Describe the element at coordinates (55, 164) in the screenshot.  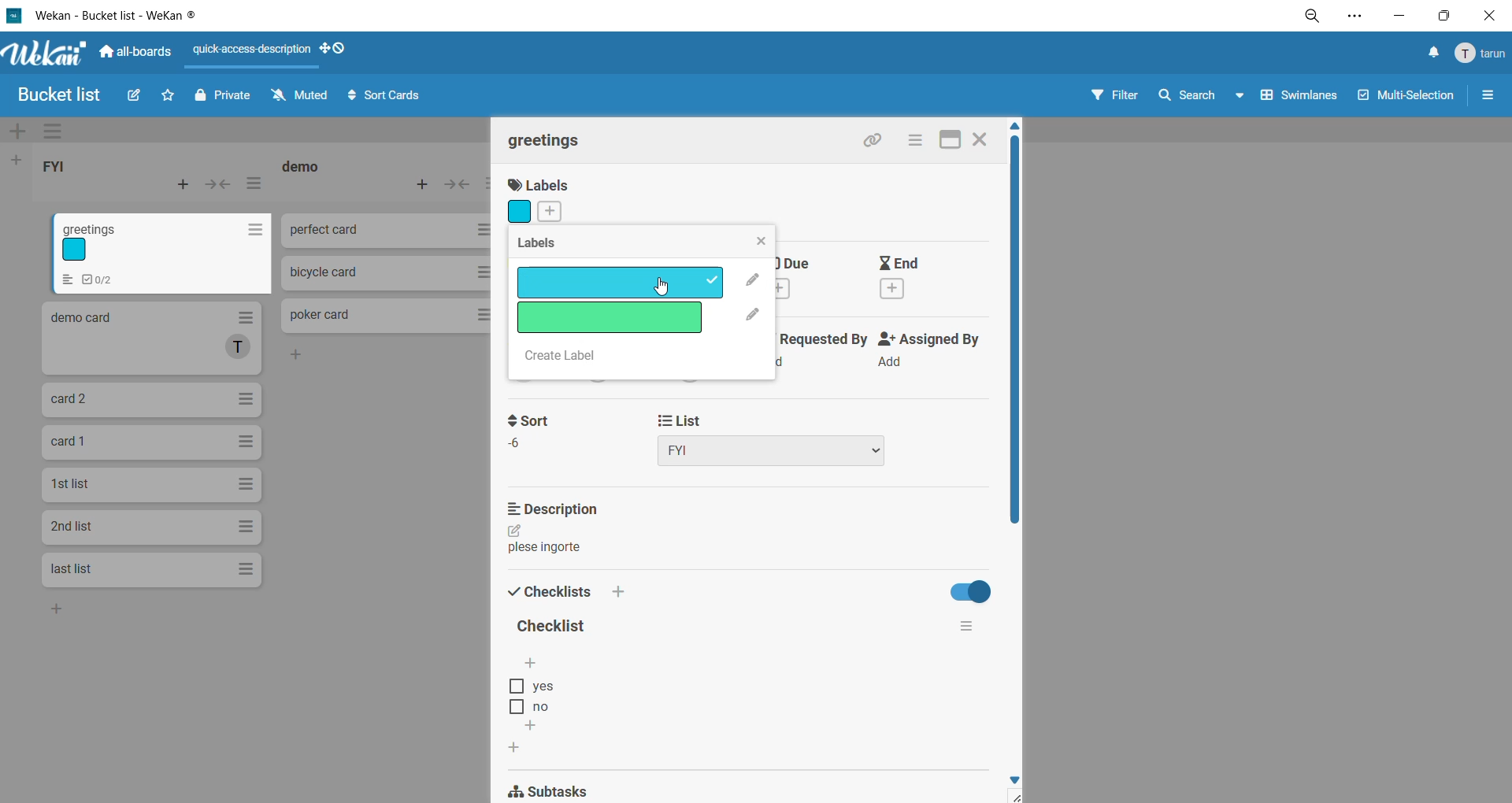
I see `list title` at that location.